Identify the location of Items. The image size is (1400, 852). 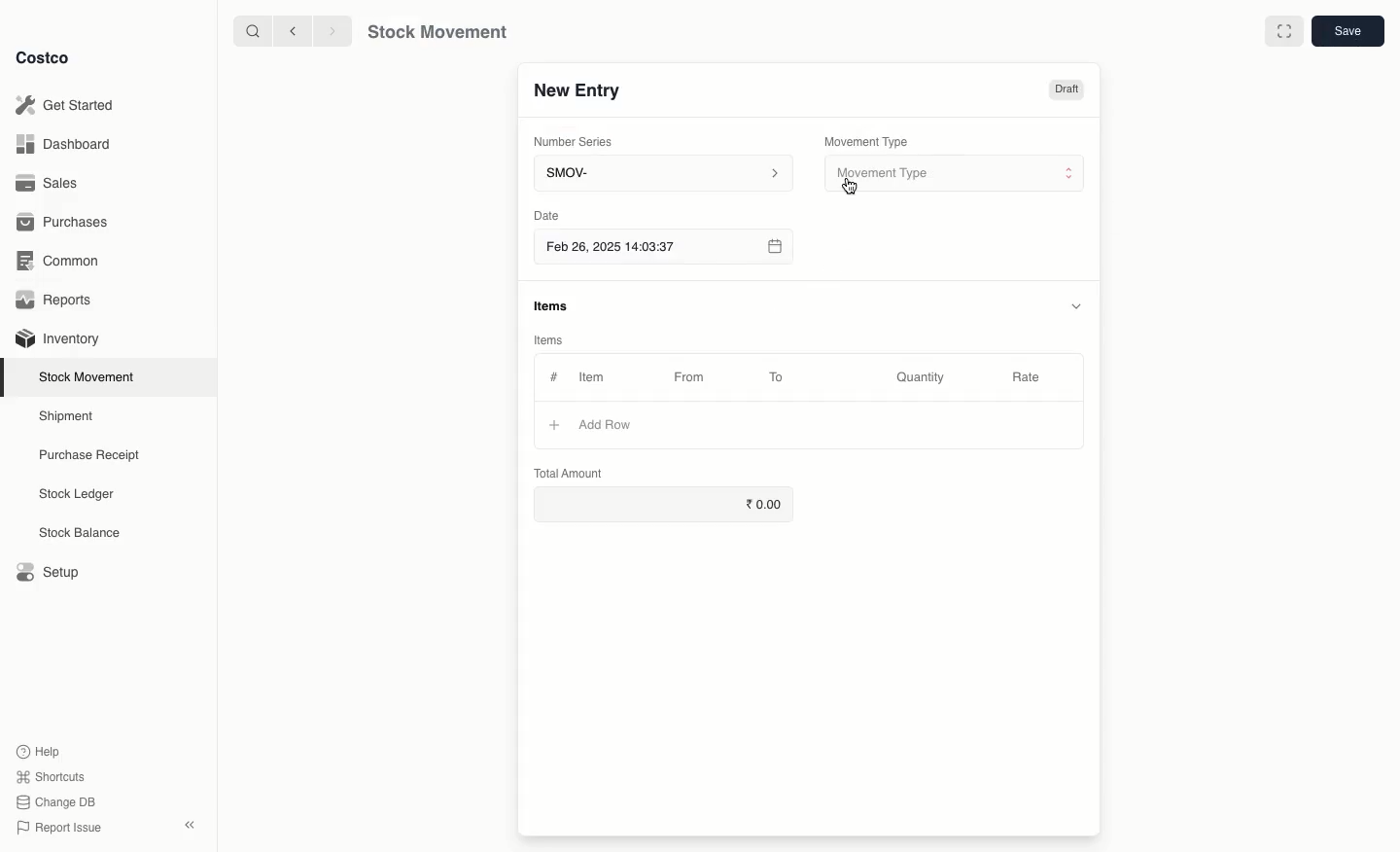
(546, 339).